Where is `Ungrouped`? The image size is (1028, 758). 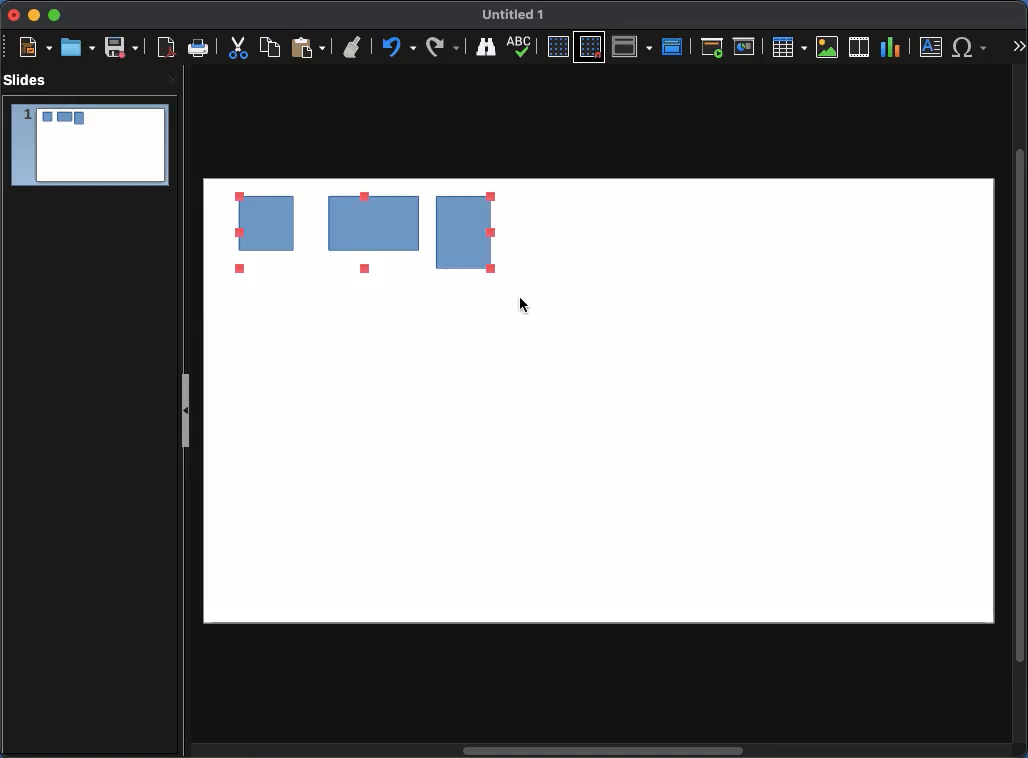
Ungrouped is located at coordinates (362, 229).